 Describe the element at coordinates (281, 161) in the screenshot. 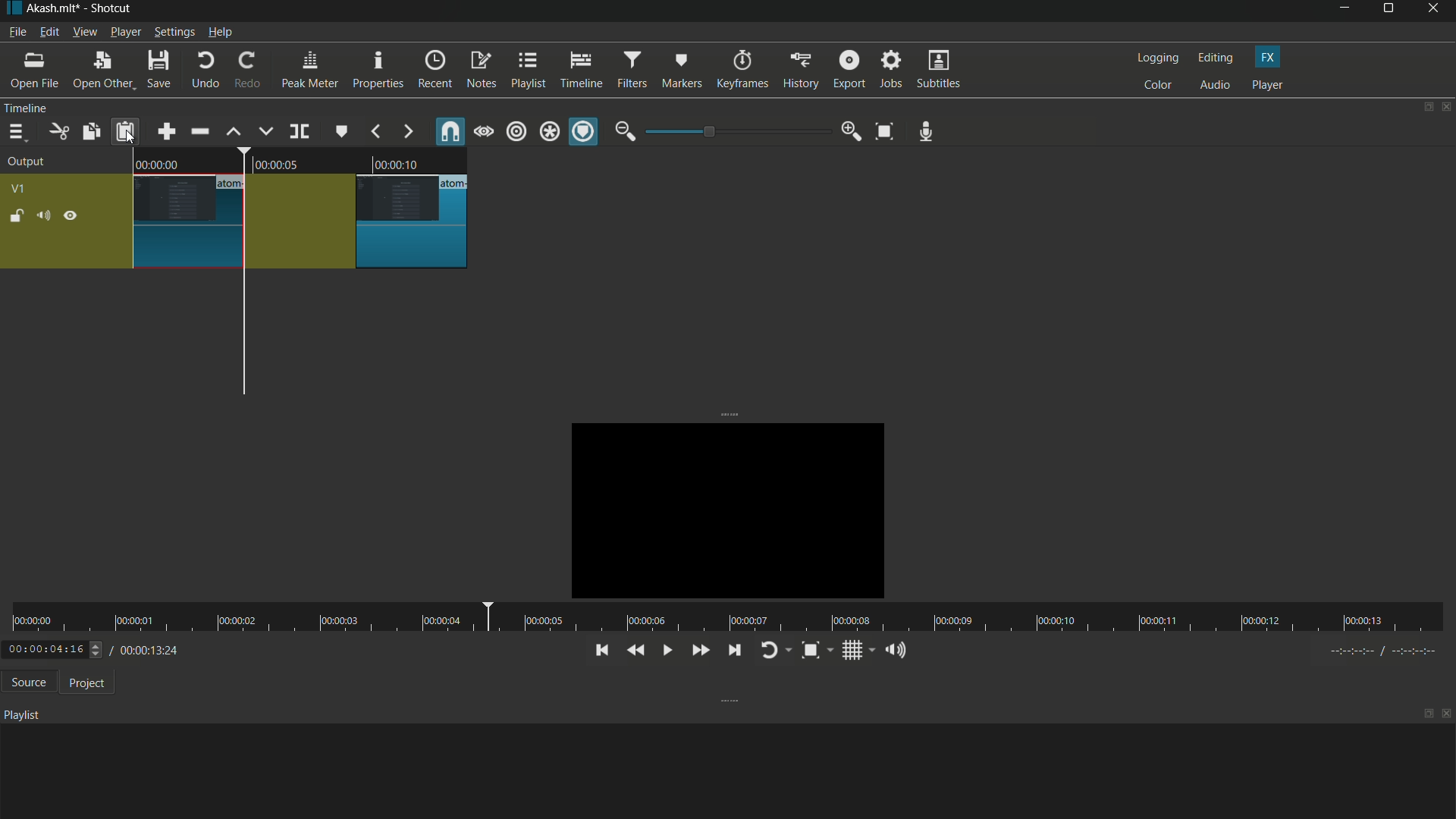

I see `|00:00:05` at that location.